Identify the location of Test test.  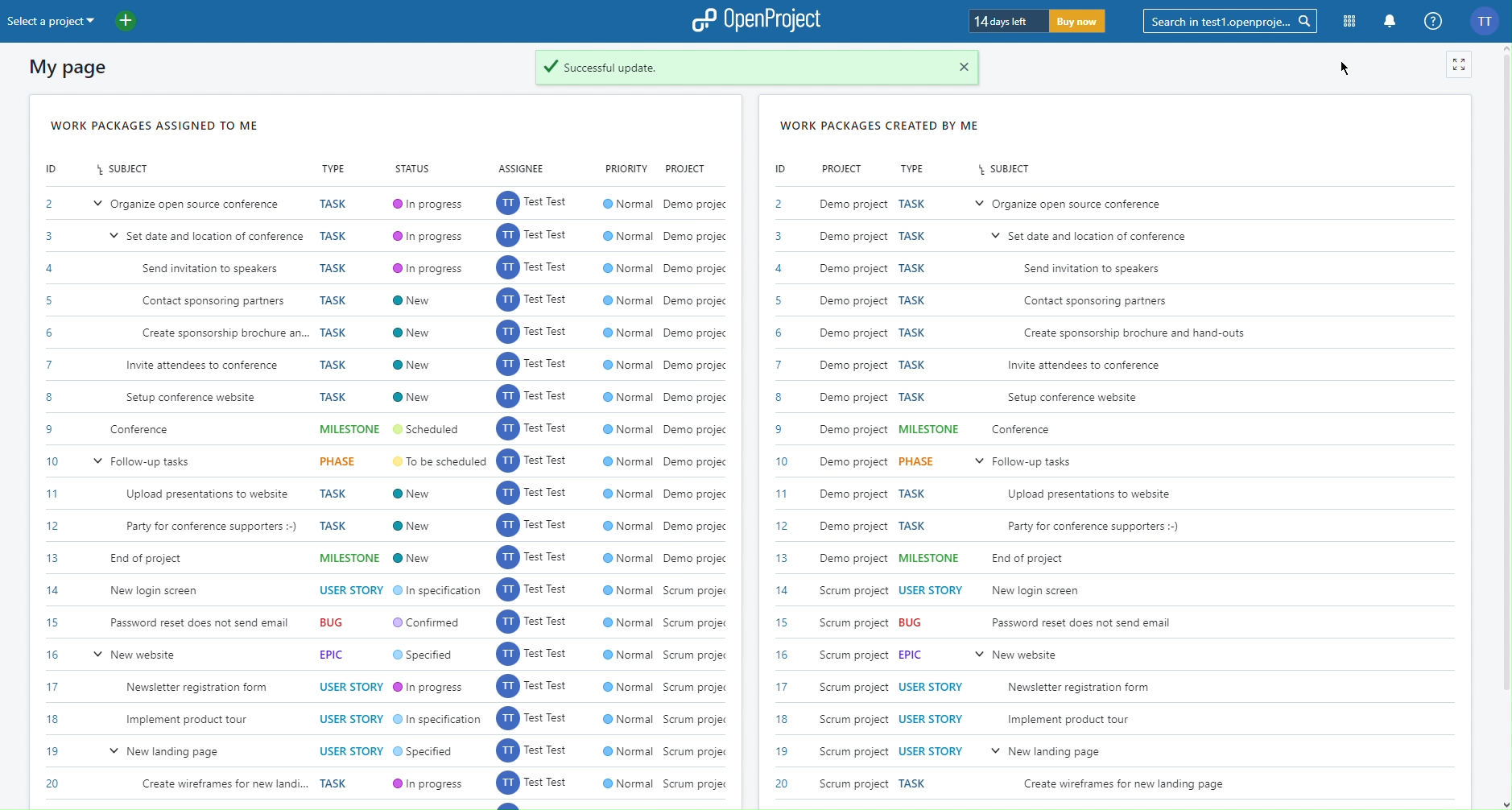
(529, 495).